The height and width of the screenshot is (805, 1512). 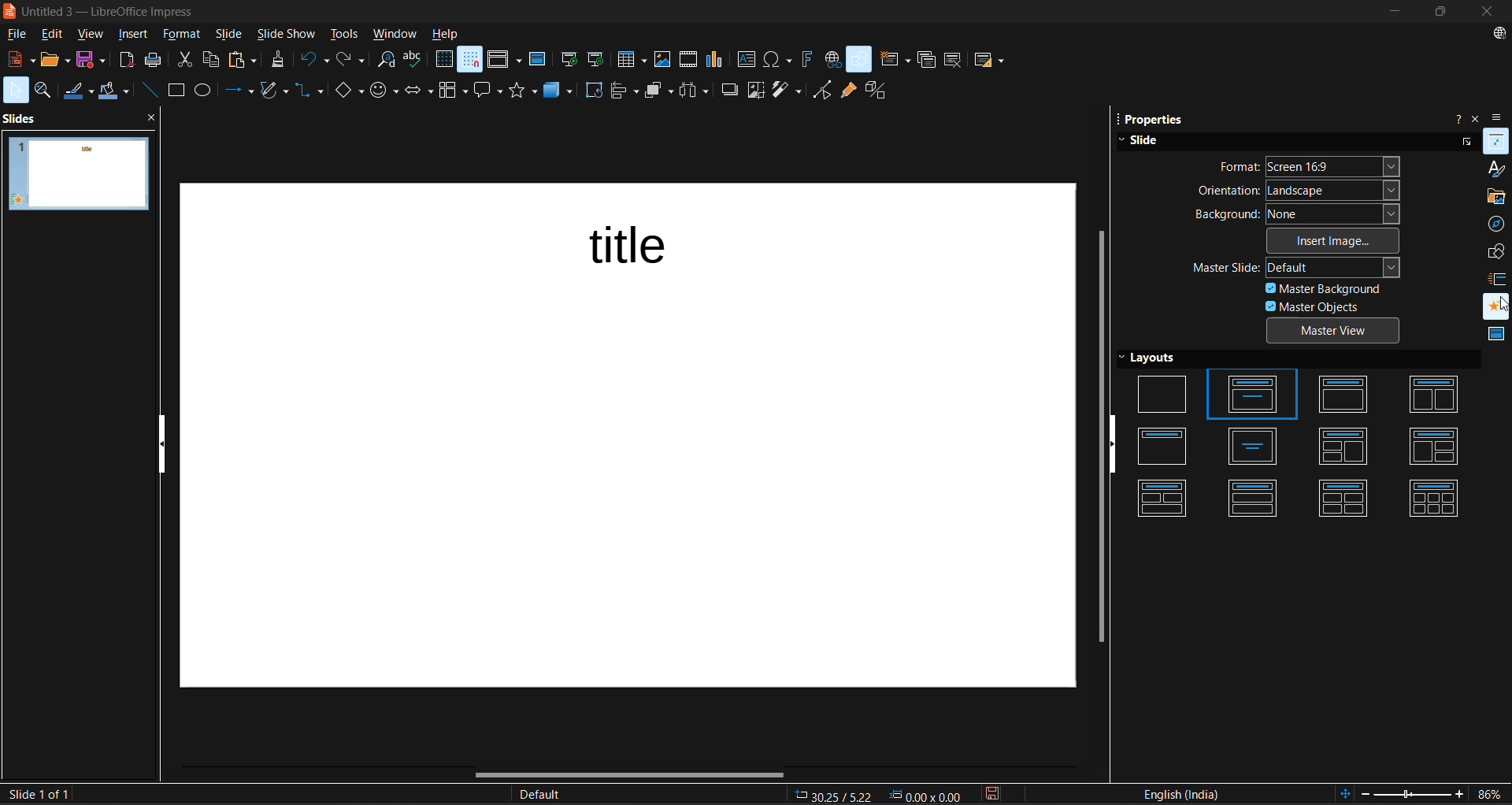 What do you see at coordinates (665, 60) in the screenshot?
I see `insert image` at bounding box center [665, 60].